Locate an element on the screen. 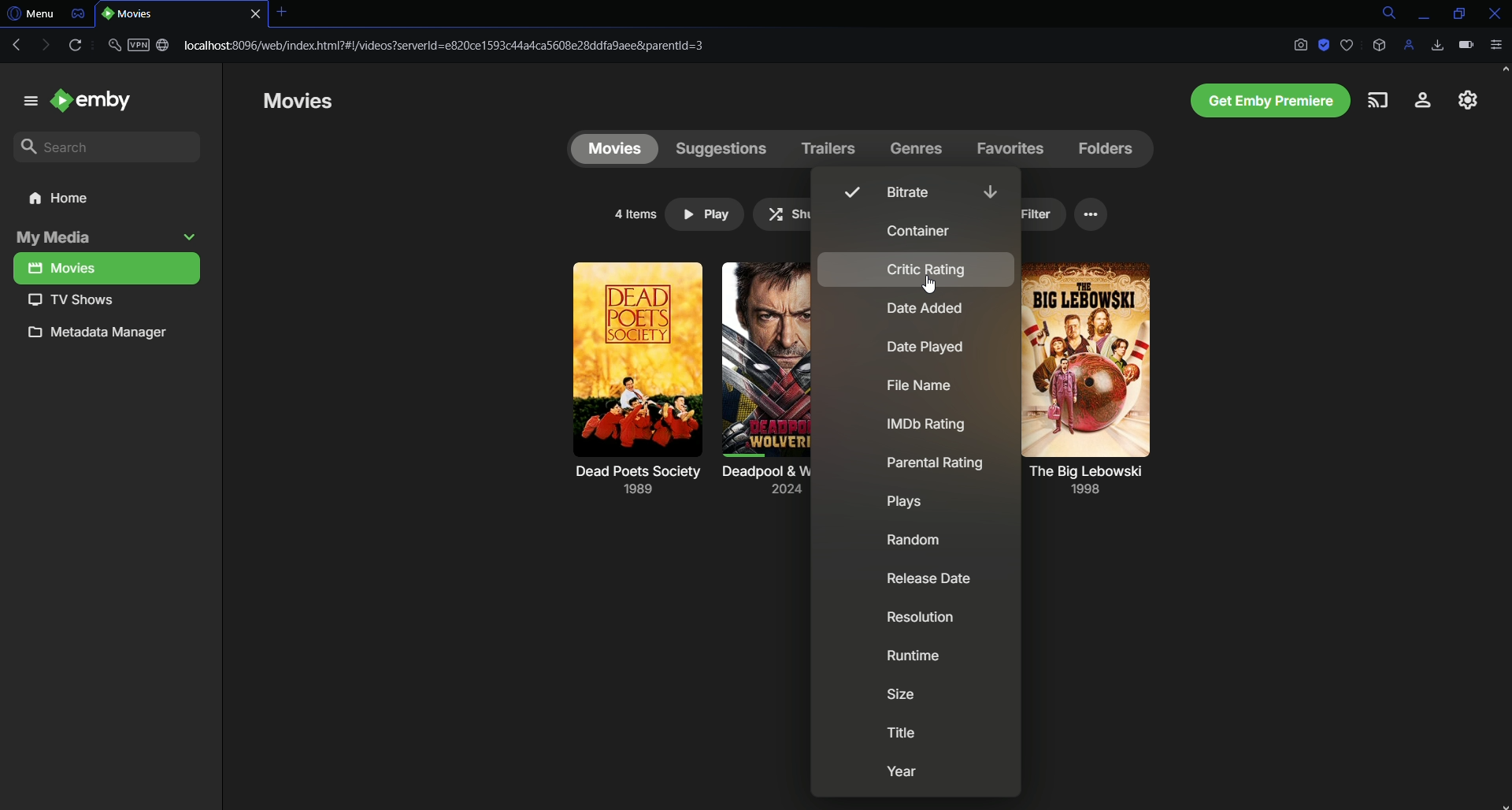 Image resolution: width=1512 pixels, height=810 pixels. My media is located at coordinates (107, 239).